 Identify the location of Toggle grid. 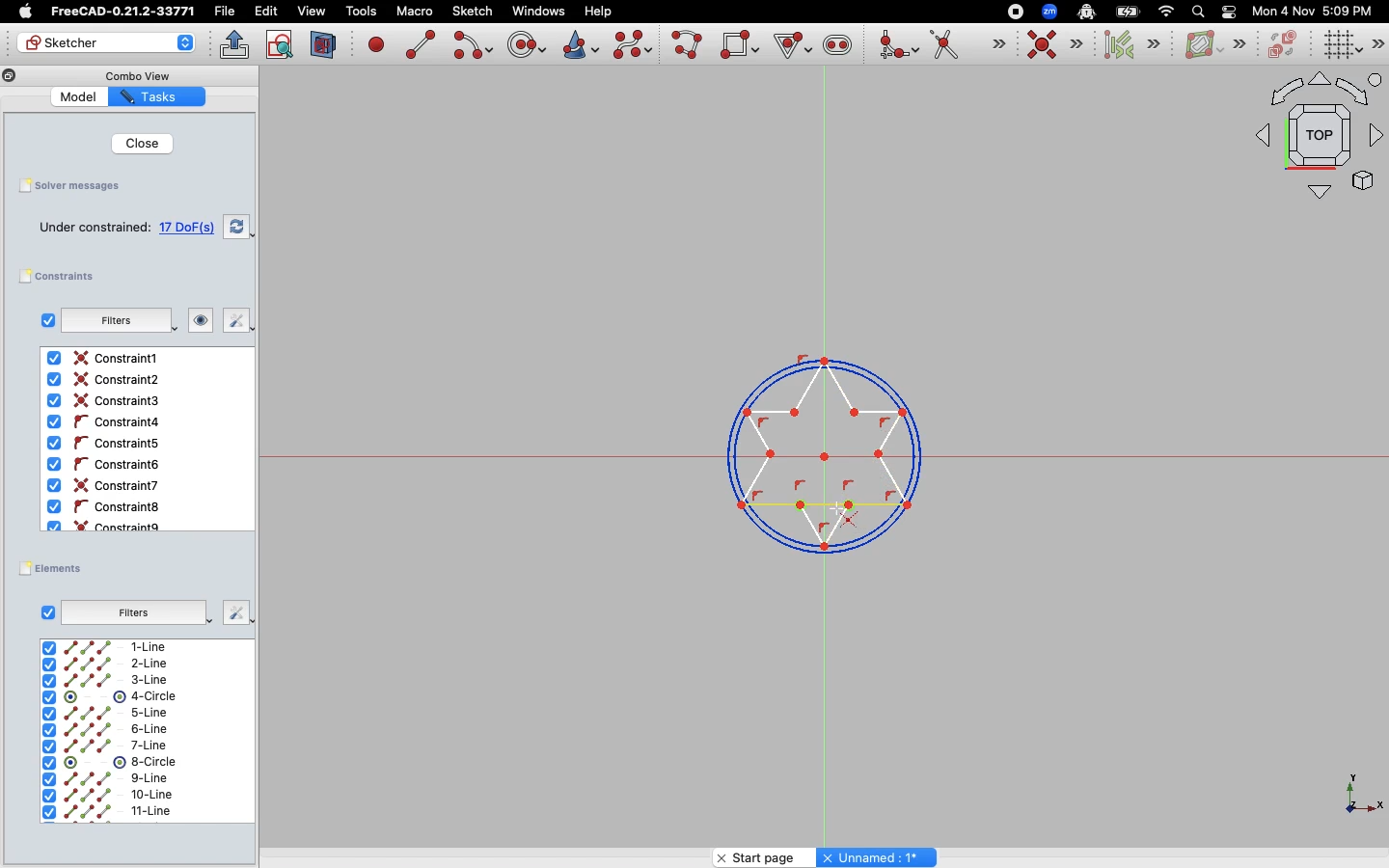
(1340, 45).